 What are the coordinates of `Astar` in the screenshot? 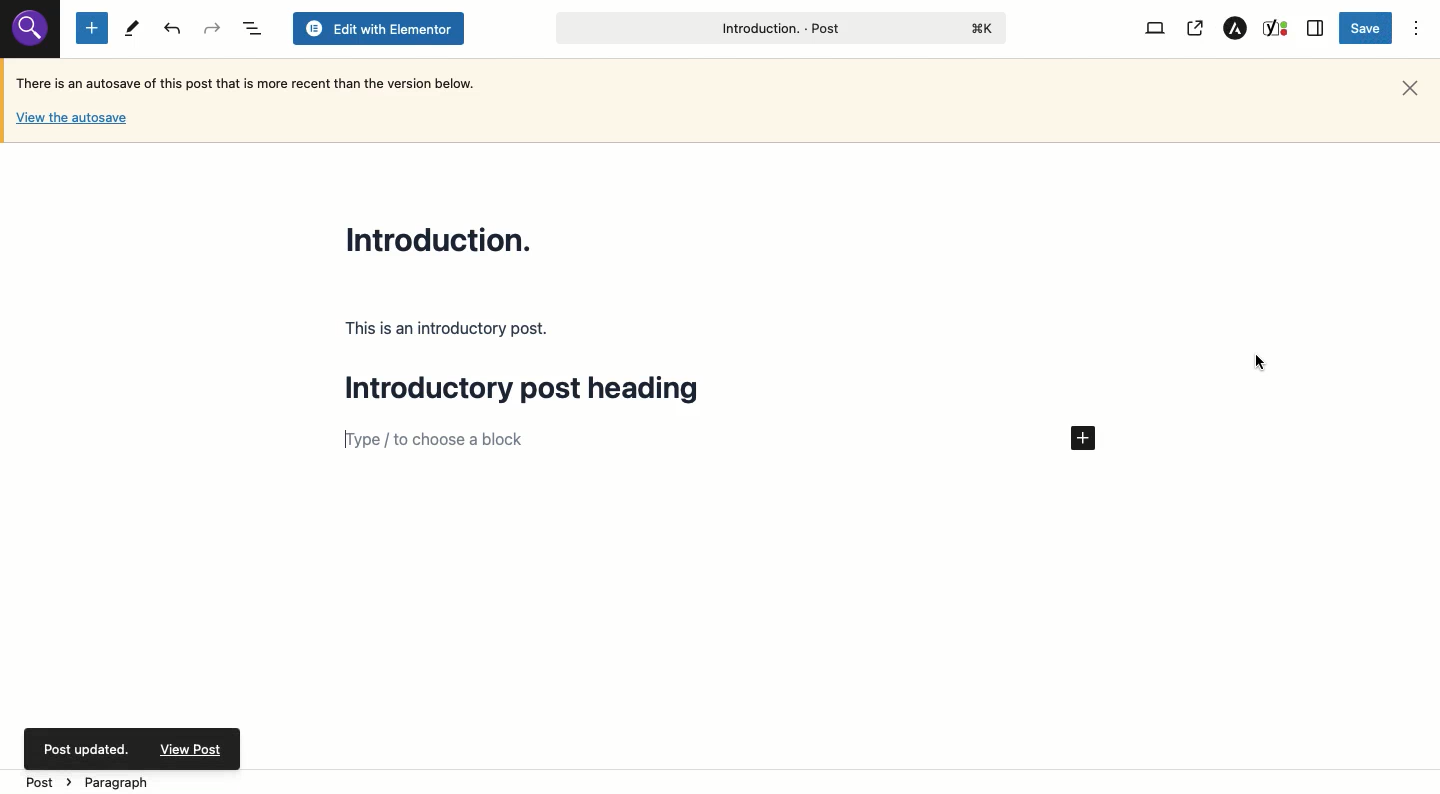 It's located at (1236, 29).